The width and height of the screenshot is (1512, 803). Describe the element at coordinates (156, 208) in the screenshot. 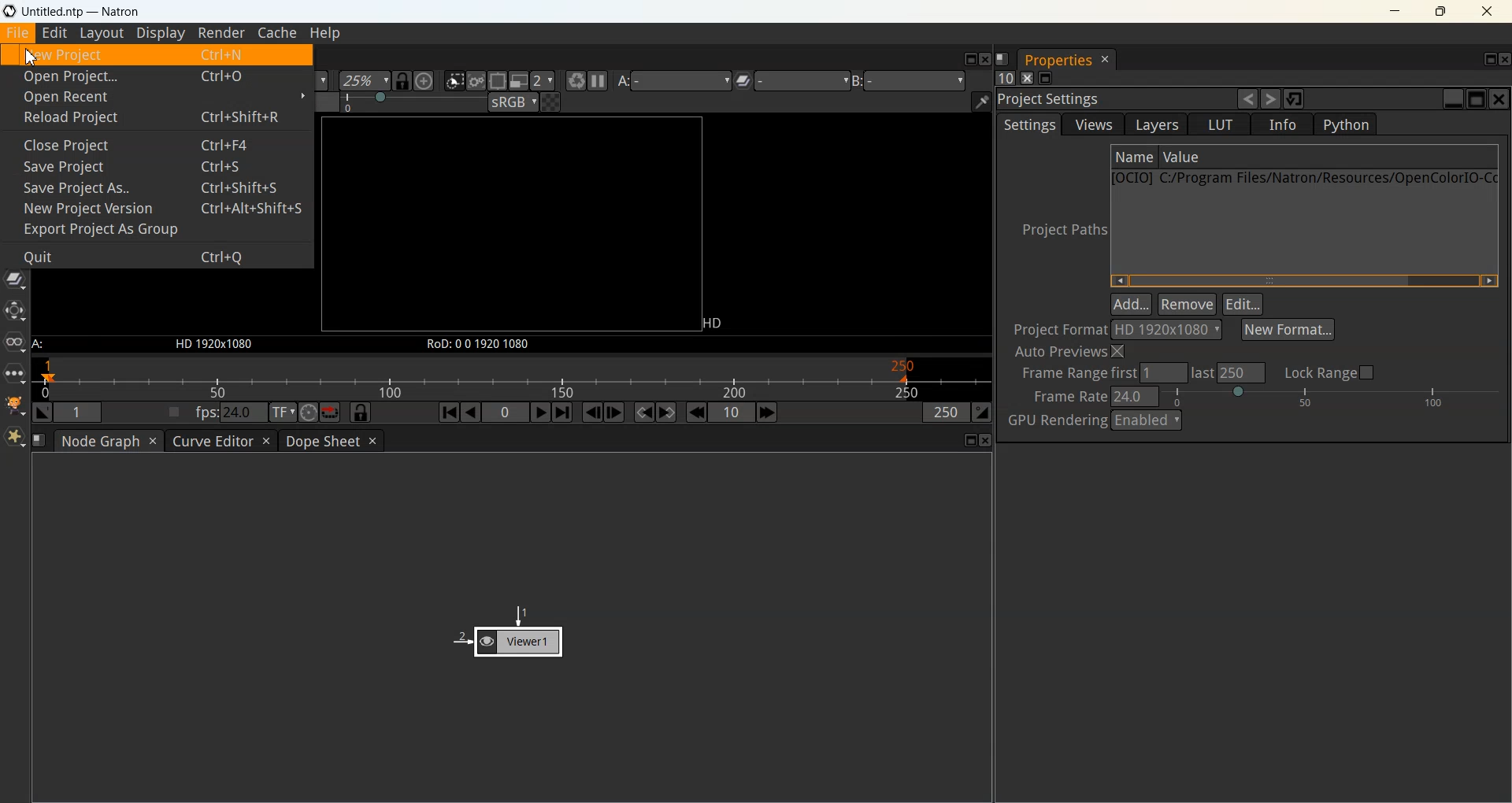

I see `New project version` at that location.